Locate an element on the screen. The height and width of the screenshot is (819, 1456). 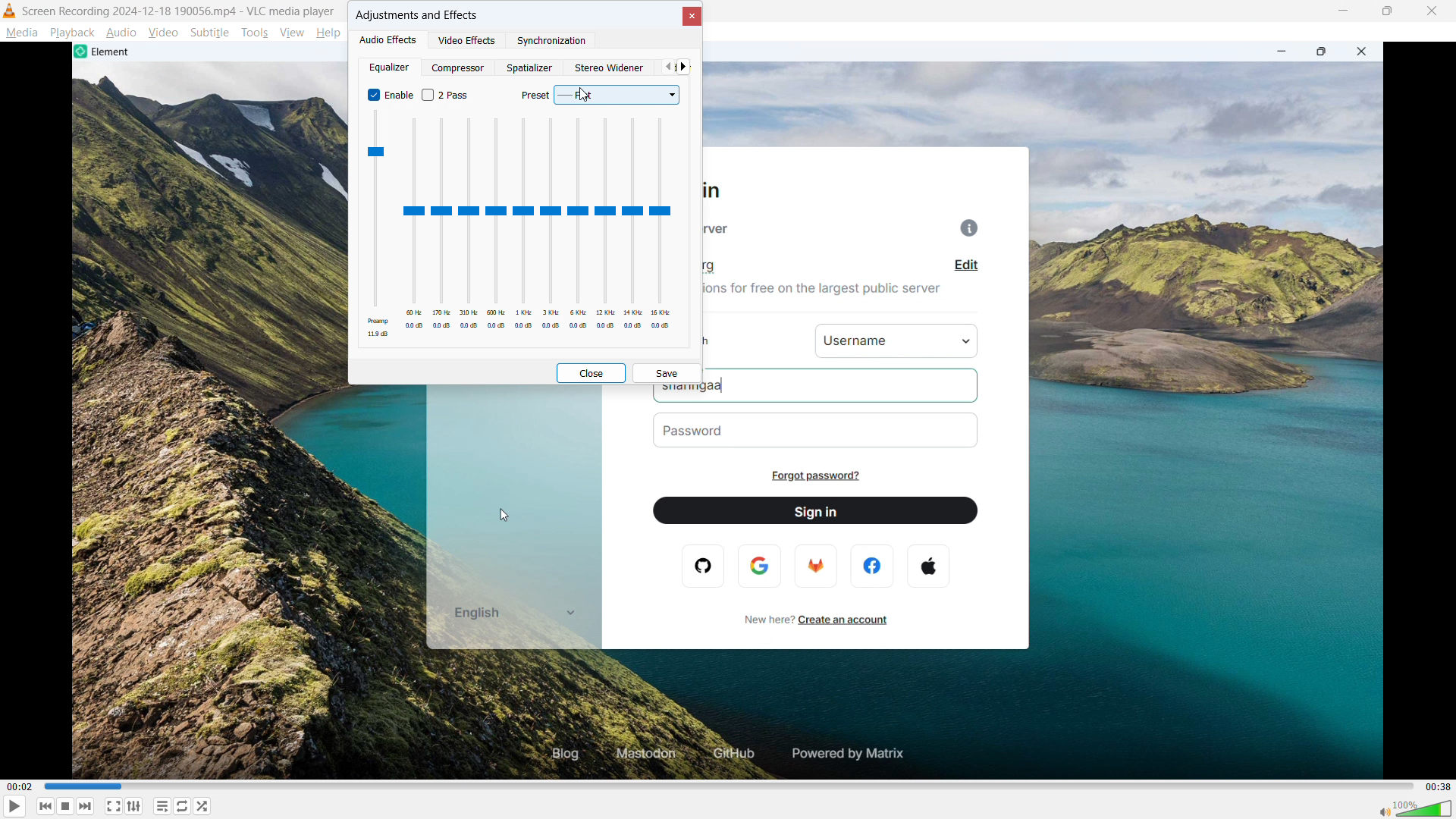
Adjust 60 Hertz  is located at coordinates (414, 225).